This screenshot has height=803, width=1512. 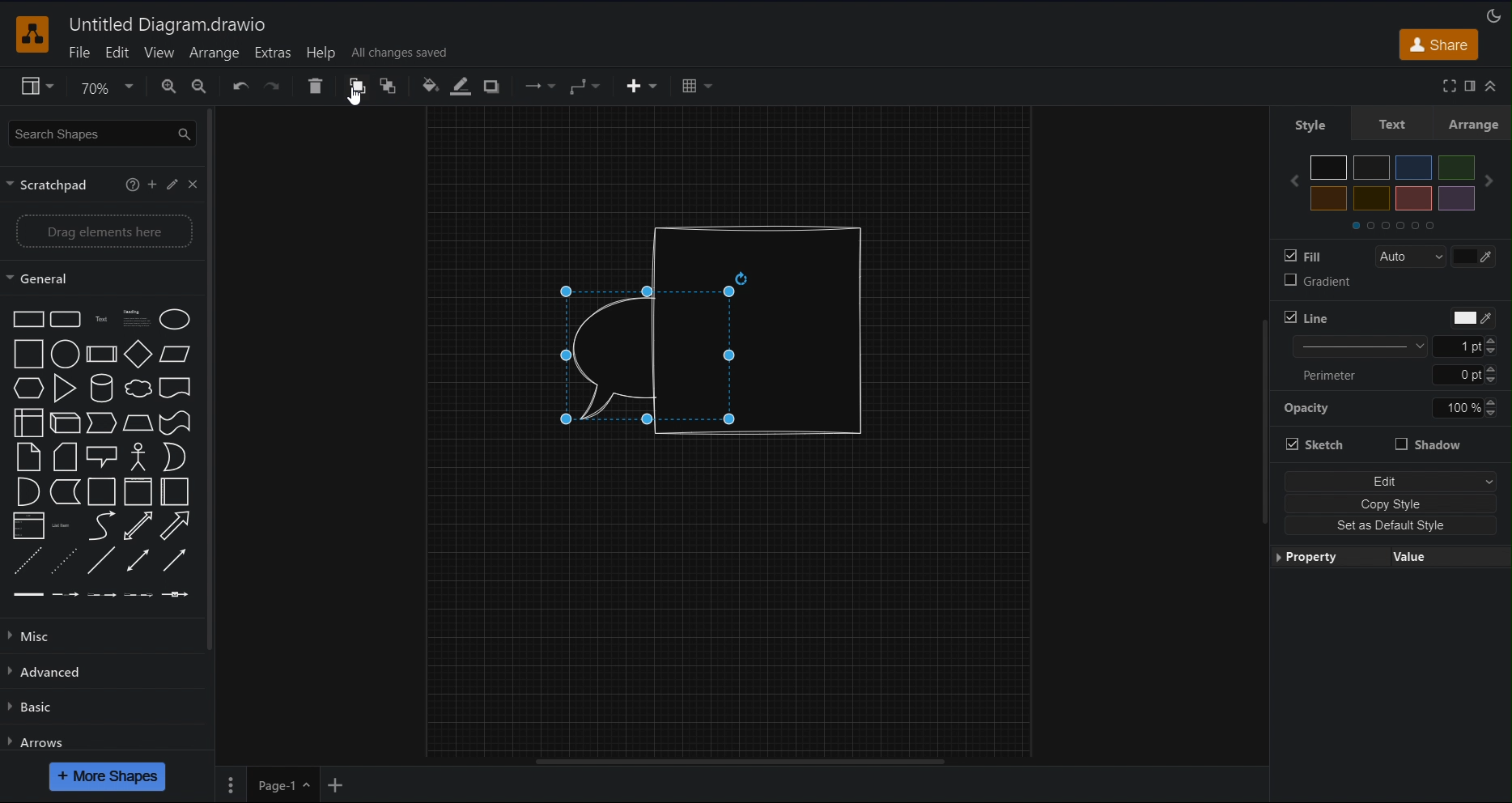 I want to click on Stretch, so click(x=1314, y=444).